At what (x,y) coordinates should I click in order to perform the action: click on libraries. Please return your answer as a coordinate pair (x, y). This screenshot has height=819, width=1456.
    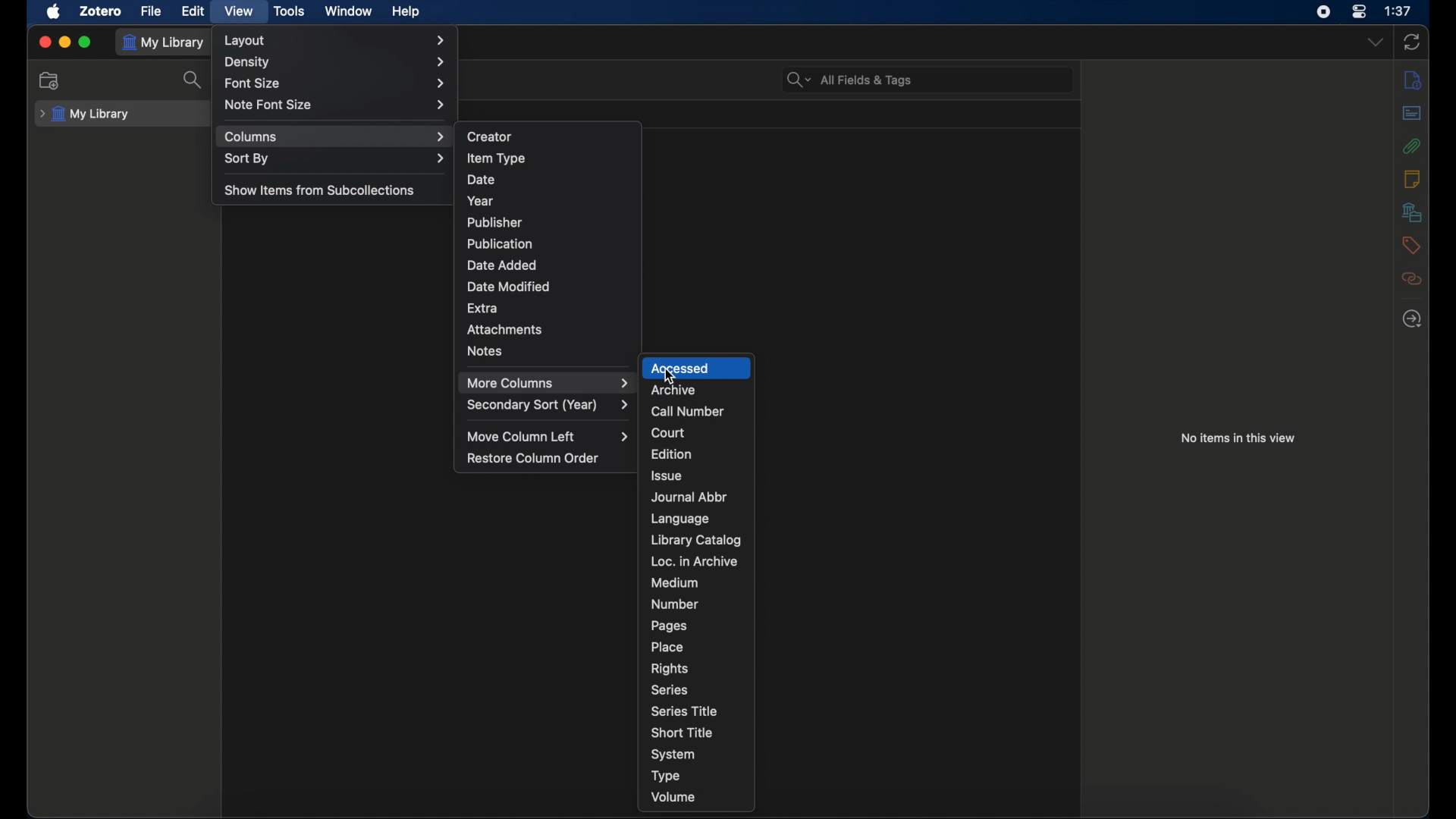
    Looking at the image, I should click on (1410, 212).